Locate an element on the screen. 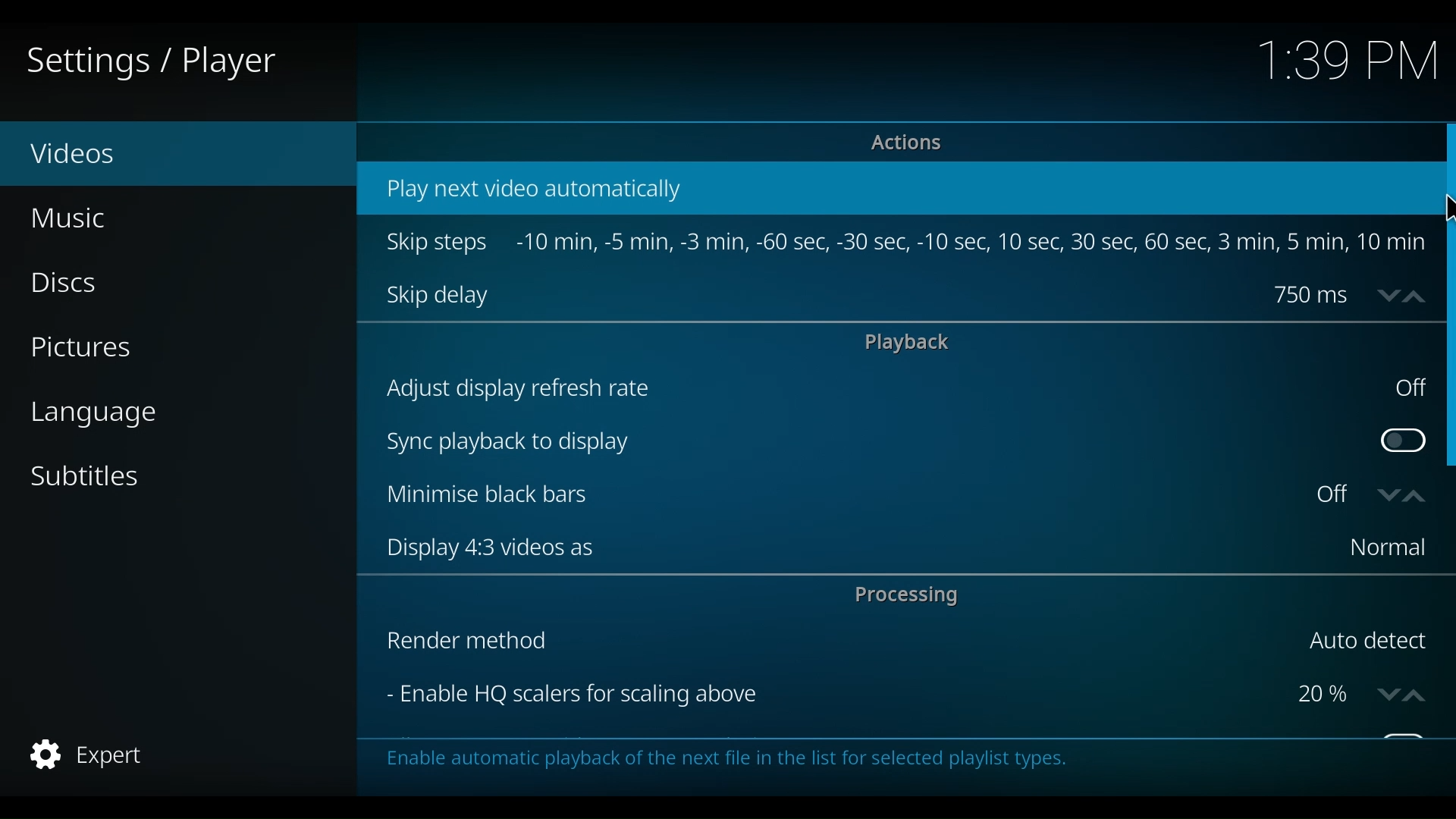  Cursor is located at coordinates (1446, 209).